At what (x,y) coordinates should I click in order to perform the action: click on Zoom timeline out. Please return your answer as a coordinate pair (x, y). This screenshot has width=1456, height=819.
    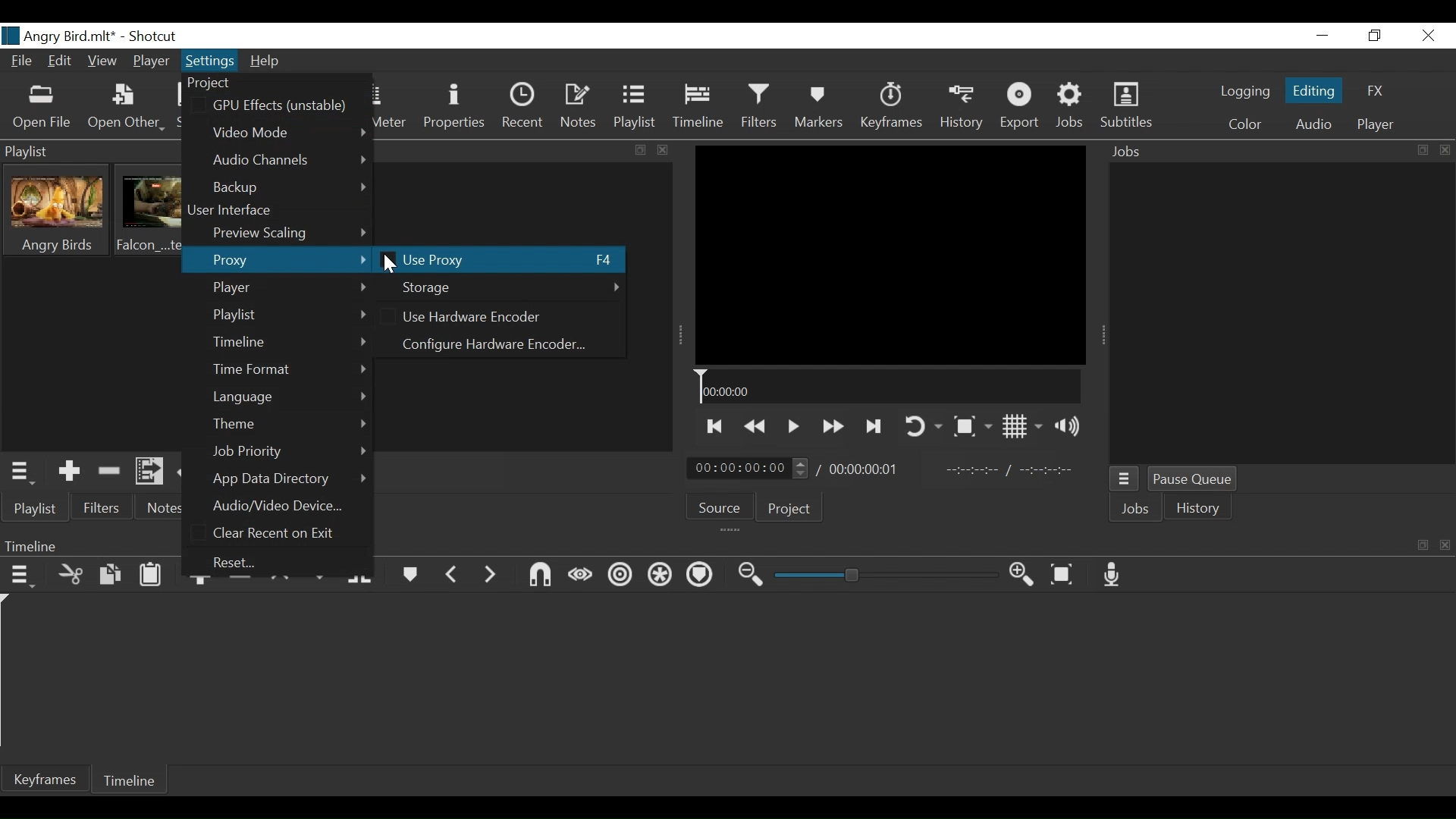
    Looking at the image, I should click on (745, 575).